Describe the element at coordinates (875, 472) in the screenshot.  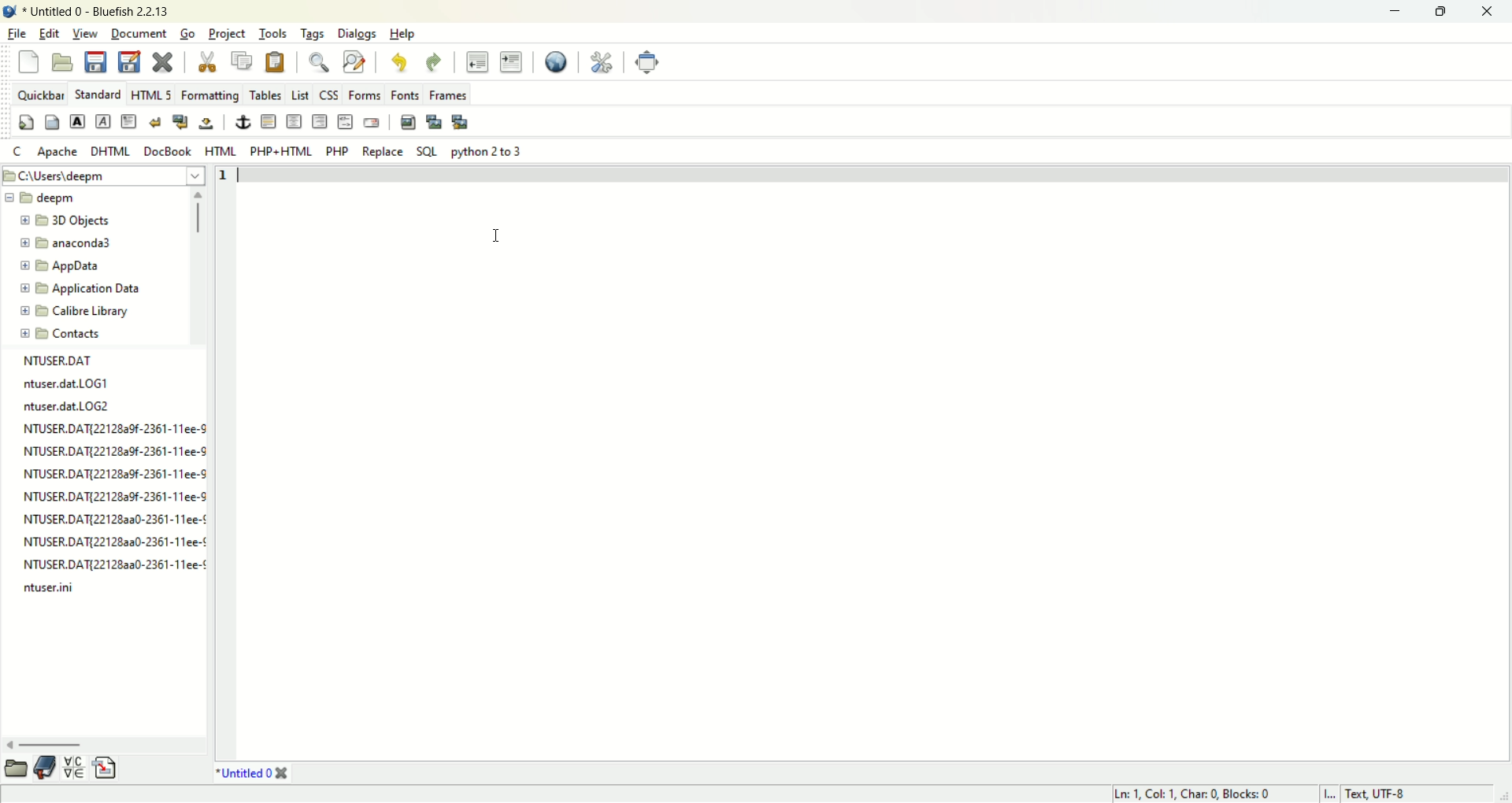
I see `workspace` at that location.